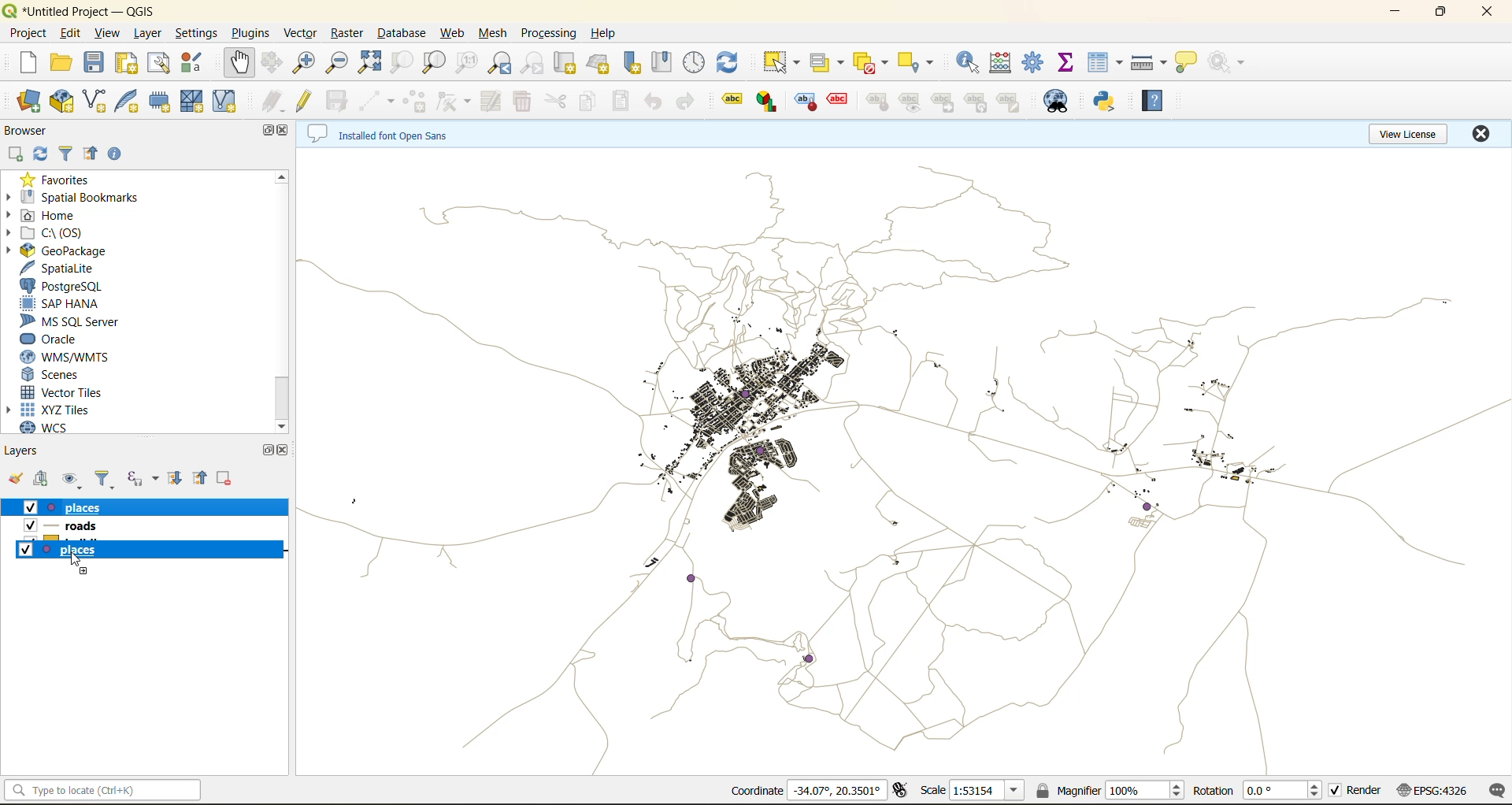 This screenshot has height=805, width=1512. Describe the element at coordinates (378, 101) in the screenshot. I see `digitize` at that location.